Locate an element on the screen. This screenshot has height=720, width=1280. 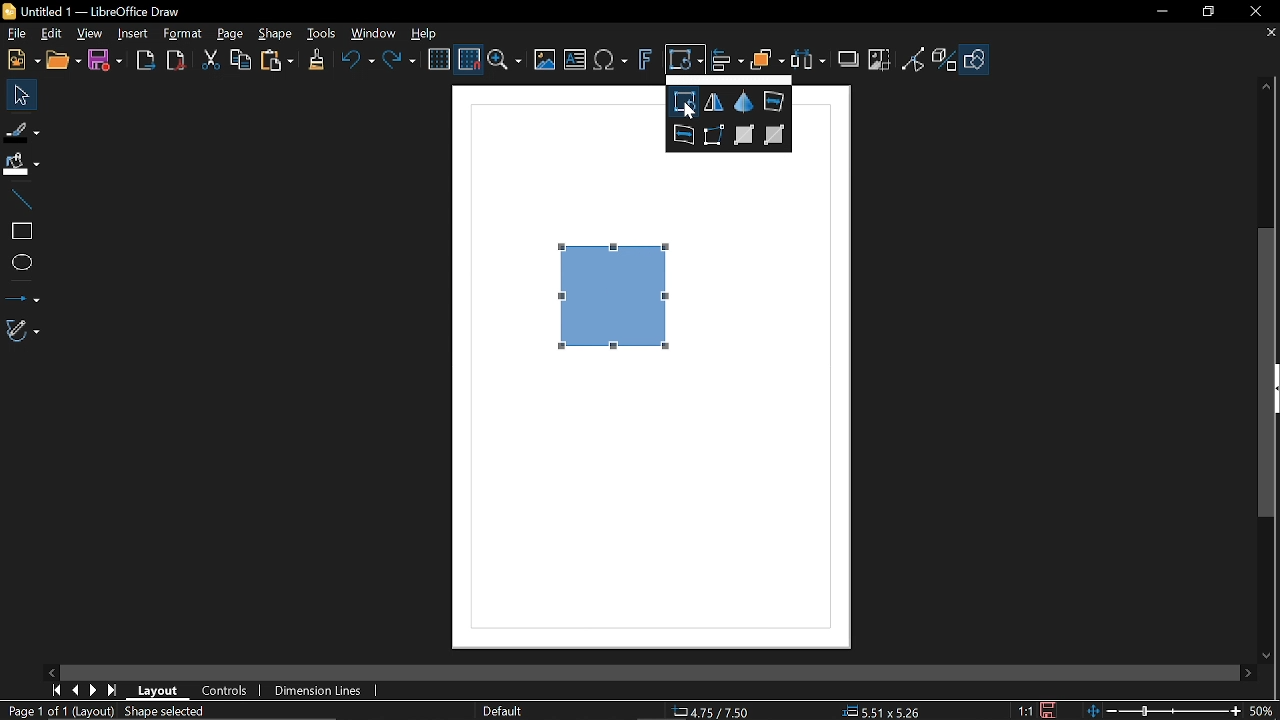
In 3d rotation object is located at coordinates (743, 100).